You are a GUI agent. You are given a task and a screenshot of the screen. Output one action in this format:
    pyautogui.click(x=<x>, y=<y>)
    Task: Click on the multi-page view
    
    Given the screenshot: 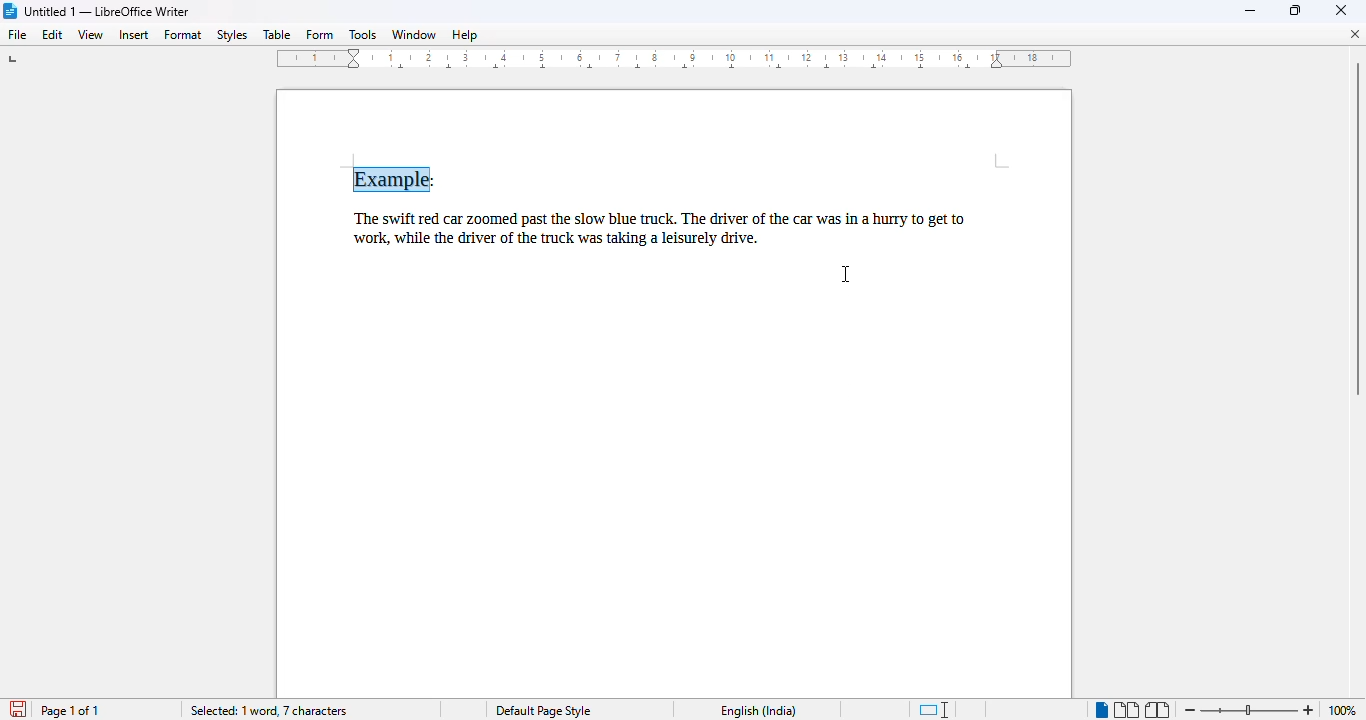 What is the action you would take?
    pyautogui.click(x=1126, y=710)
    